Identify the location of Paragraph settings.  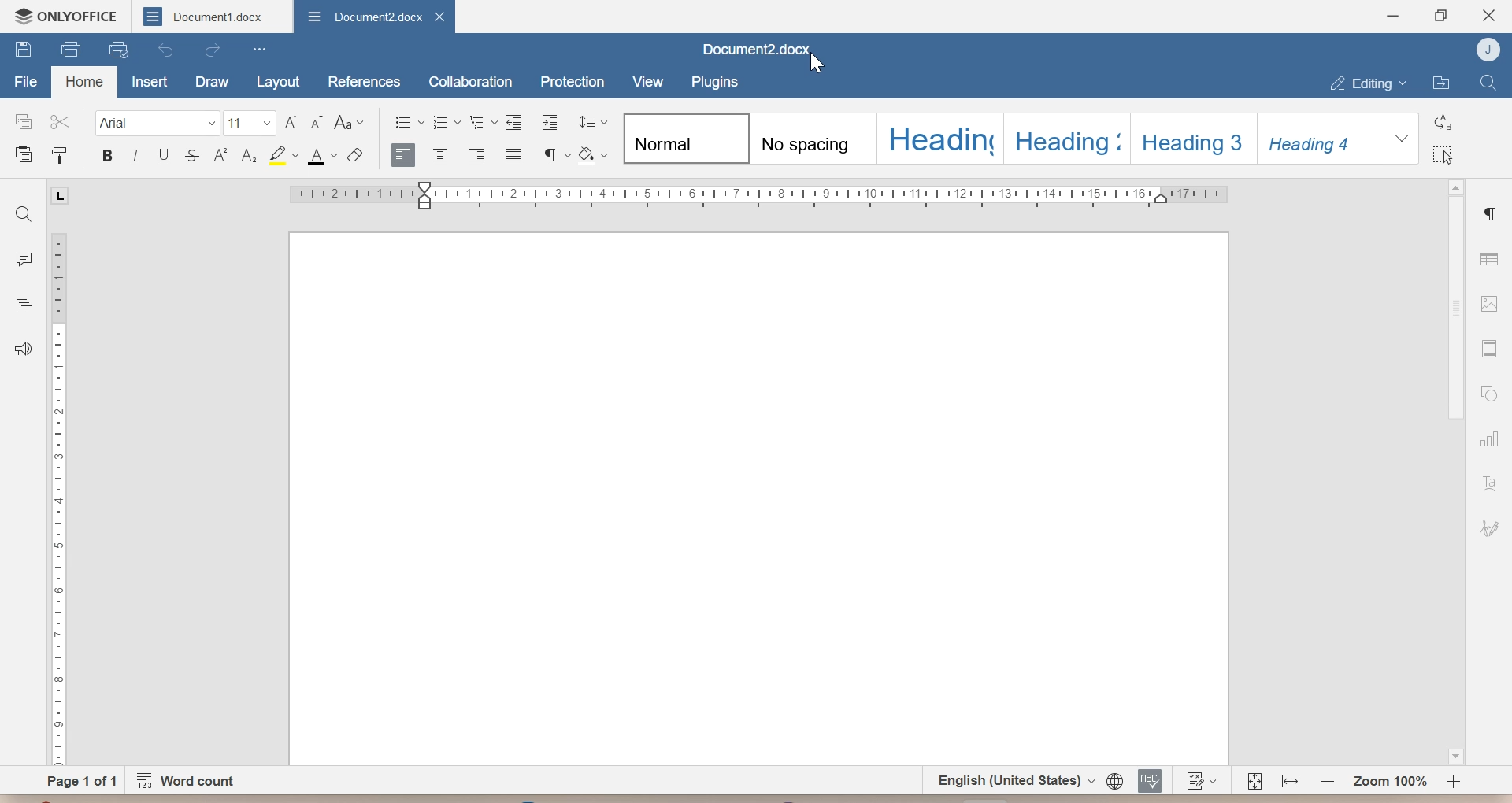
(1493, 213).